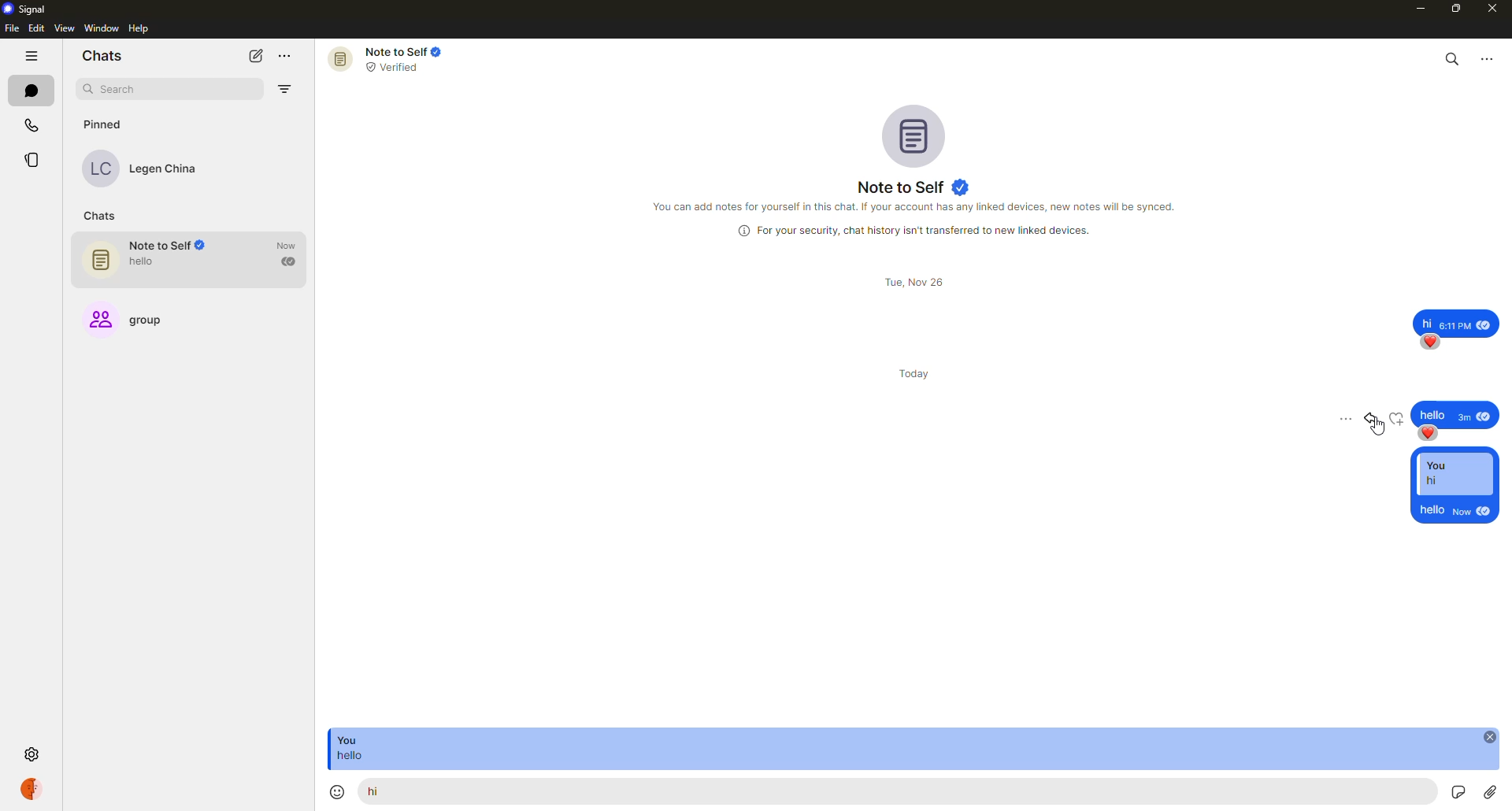 The height and width of the screenshot is (811, 1512). Describe the element at coordinates (62, 28) in the screenshot. I see `view` at that location.